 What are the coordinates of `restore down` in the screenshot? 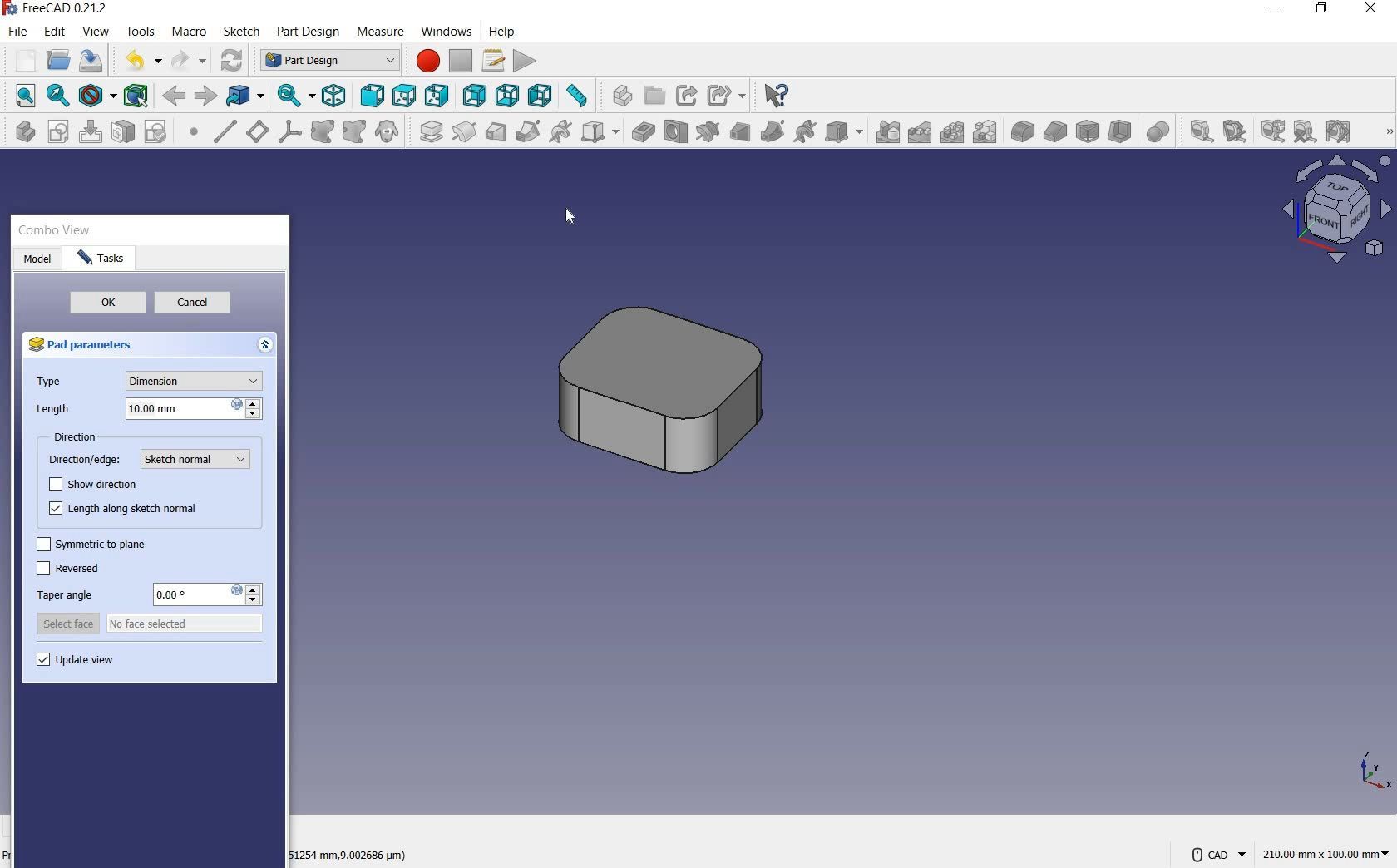 It's located at (1323, 11).